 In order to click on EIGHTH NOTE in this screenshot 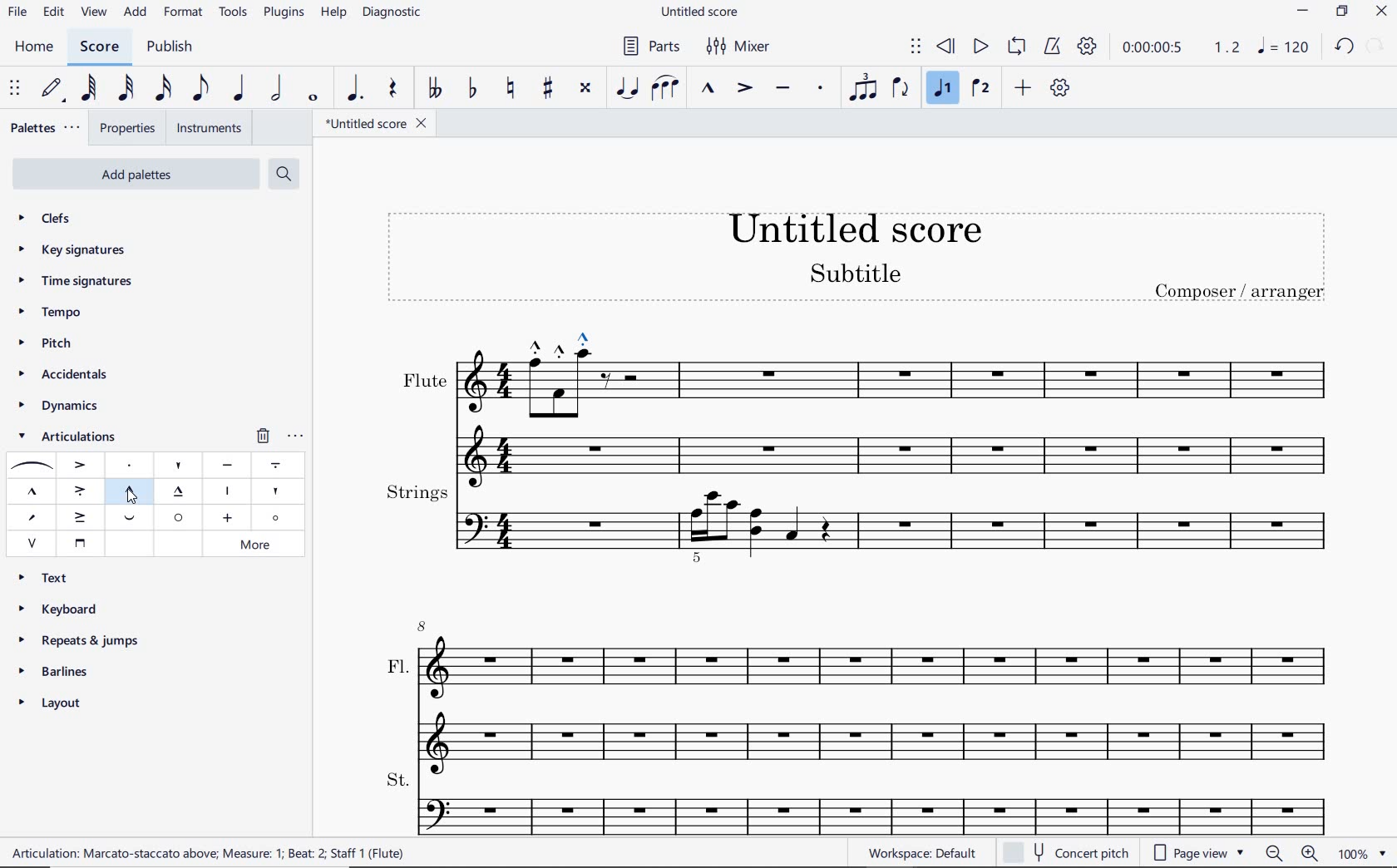, I will do `click(201, 89)`.